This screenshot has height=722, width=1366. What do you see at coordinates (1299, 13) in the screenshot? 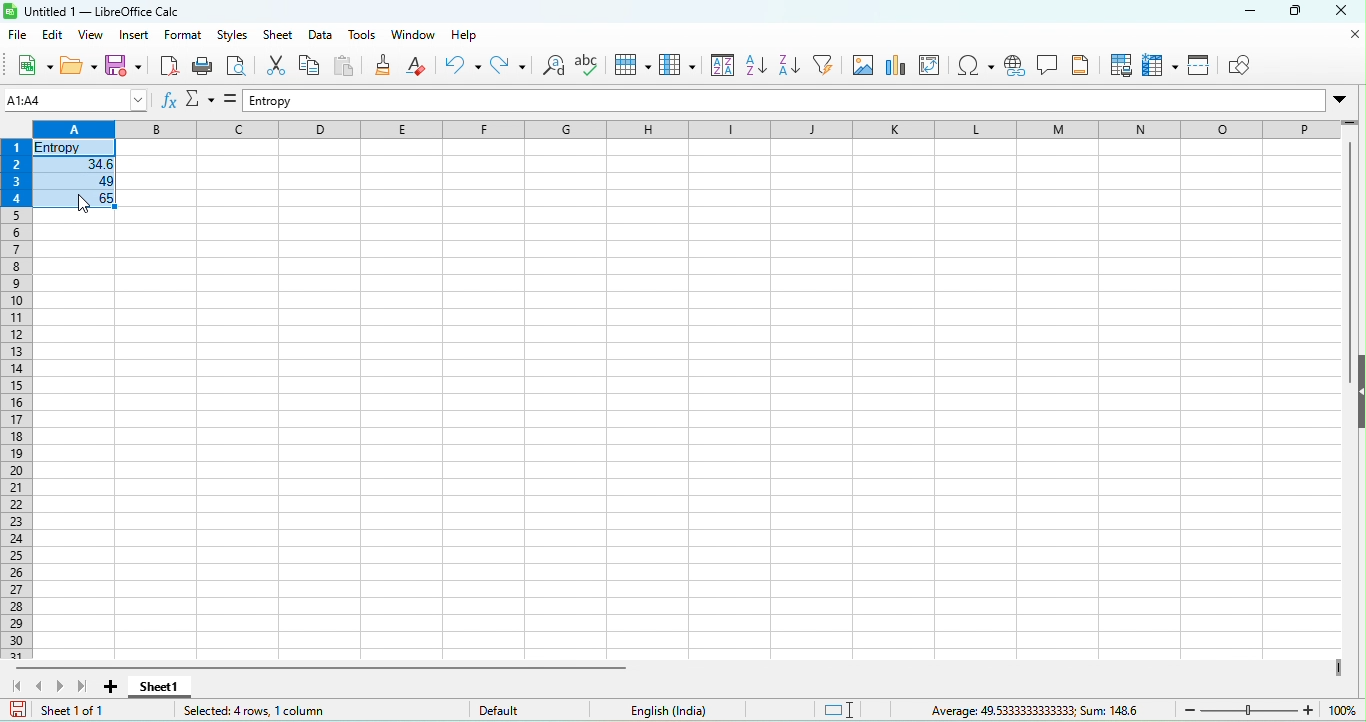
I see `maximize` at bounding box center [1299, 13].